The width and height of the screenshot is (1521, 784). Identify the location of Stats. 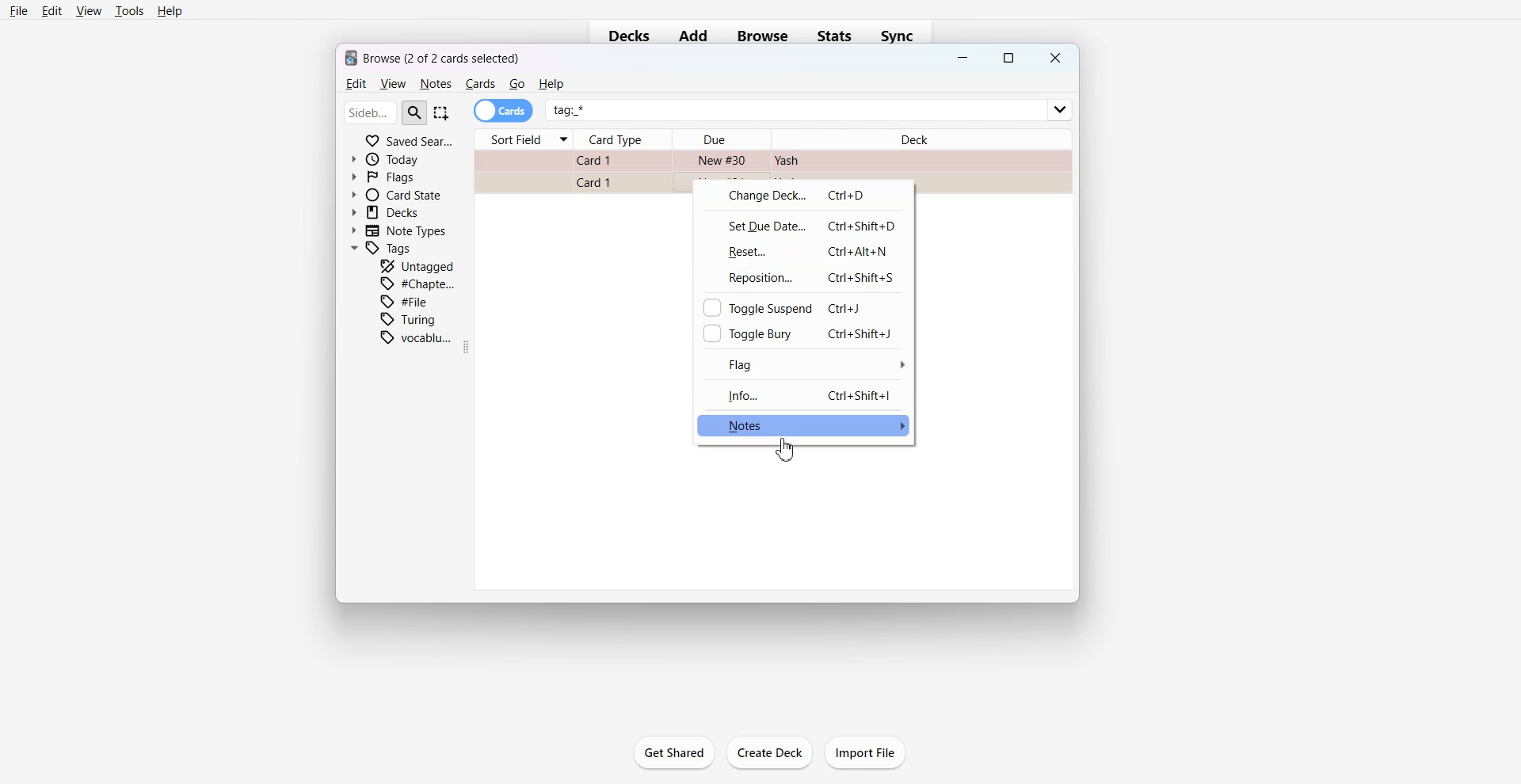
(837, 36).